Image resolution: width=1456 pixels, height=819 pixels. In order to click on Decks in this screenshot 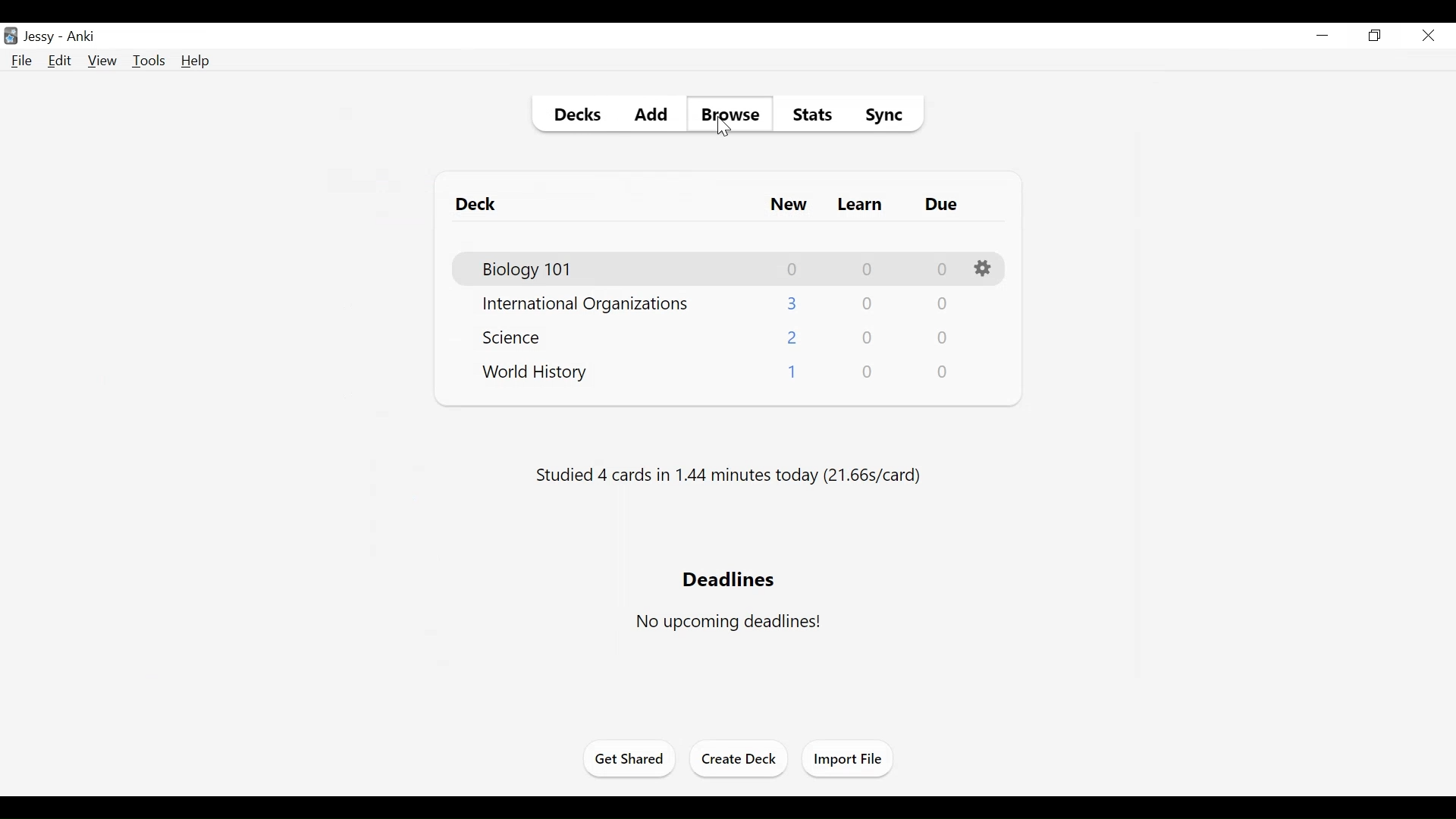, I will do `click(576, 116)`.